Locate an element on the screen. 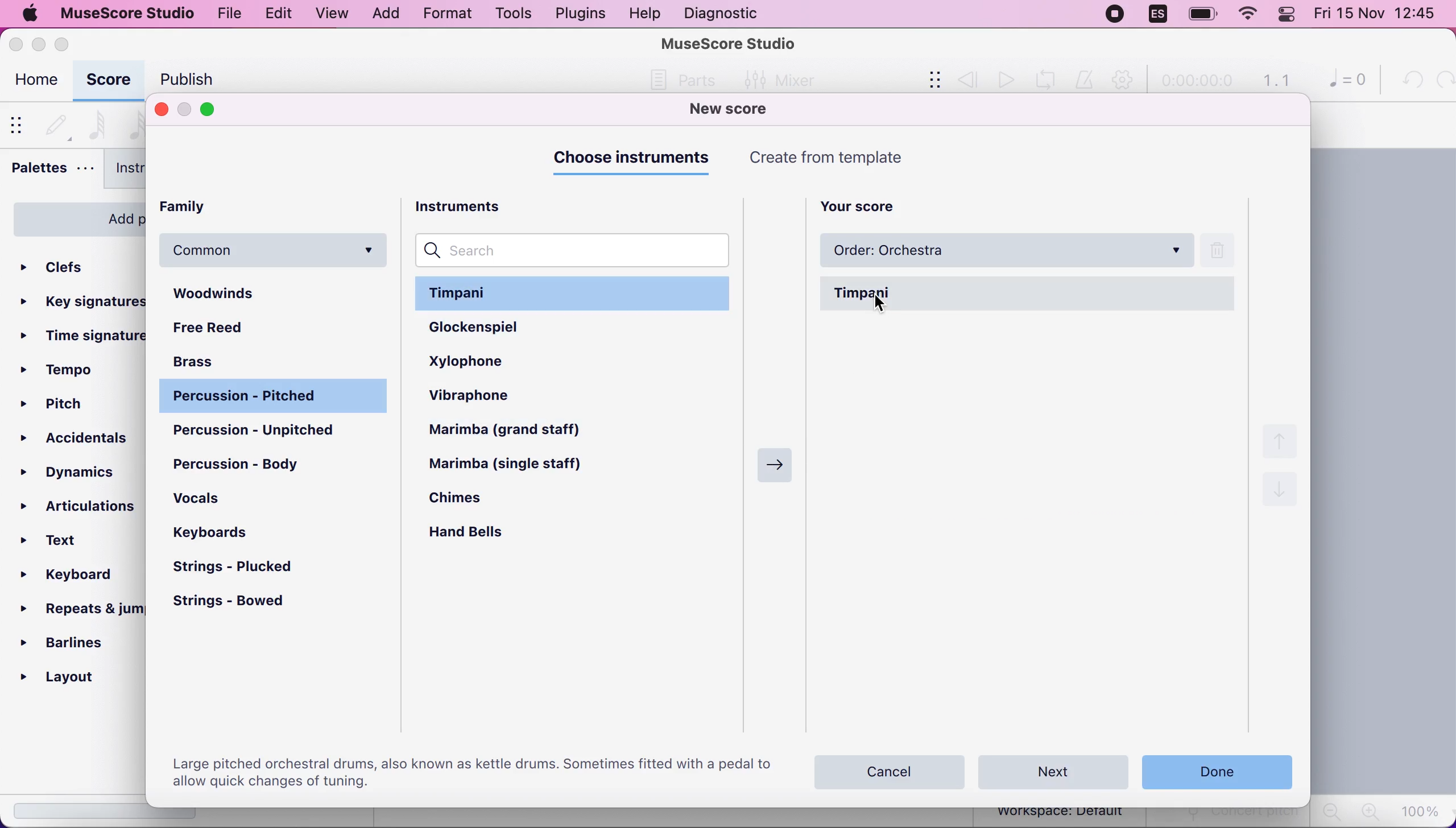 The width and height of the screenshot is (1456, 828). repeats and jumps is located at coordinates (79, 608).